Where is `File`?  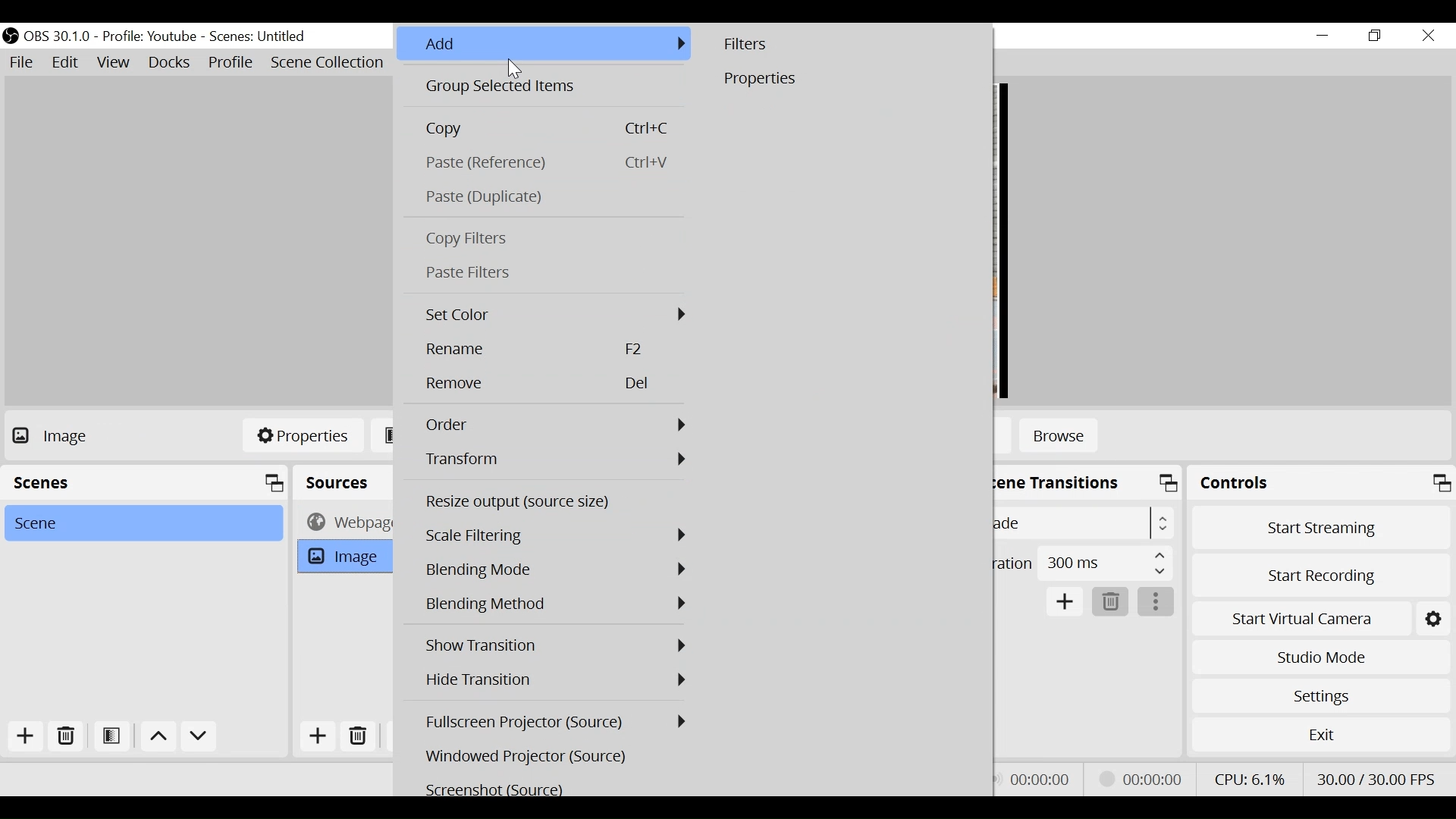 File is located at coordinates (22, 62).